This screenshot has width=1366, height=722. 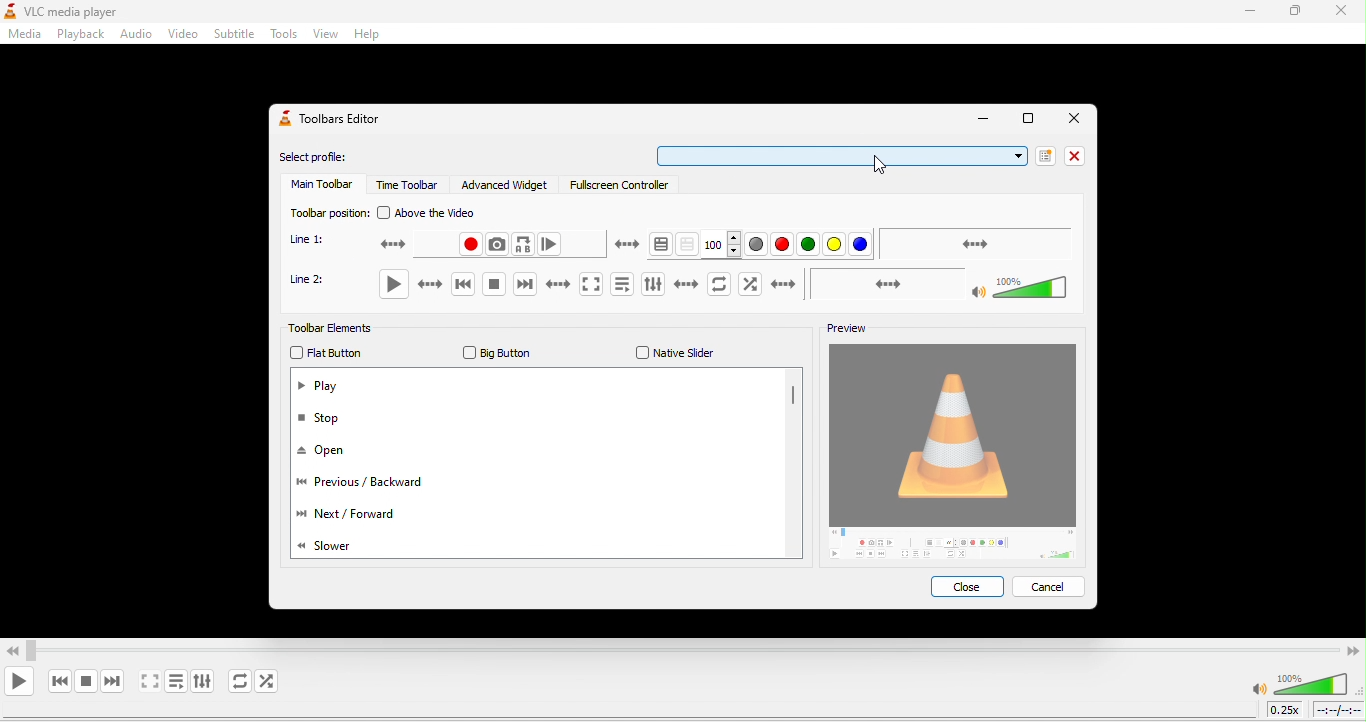 What do you see at coordinates (333, 423) in the screenshot?
I see `stop` at bounding box center [333, 423].